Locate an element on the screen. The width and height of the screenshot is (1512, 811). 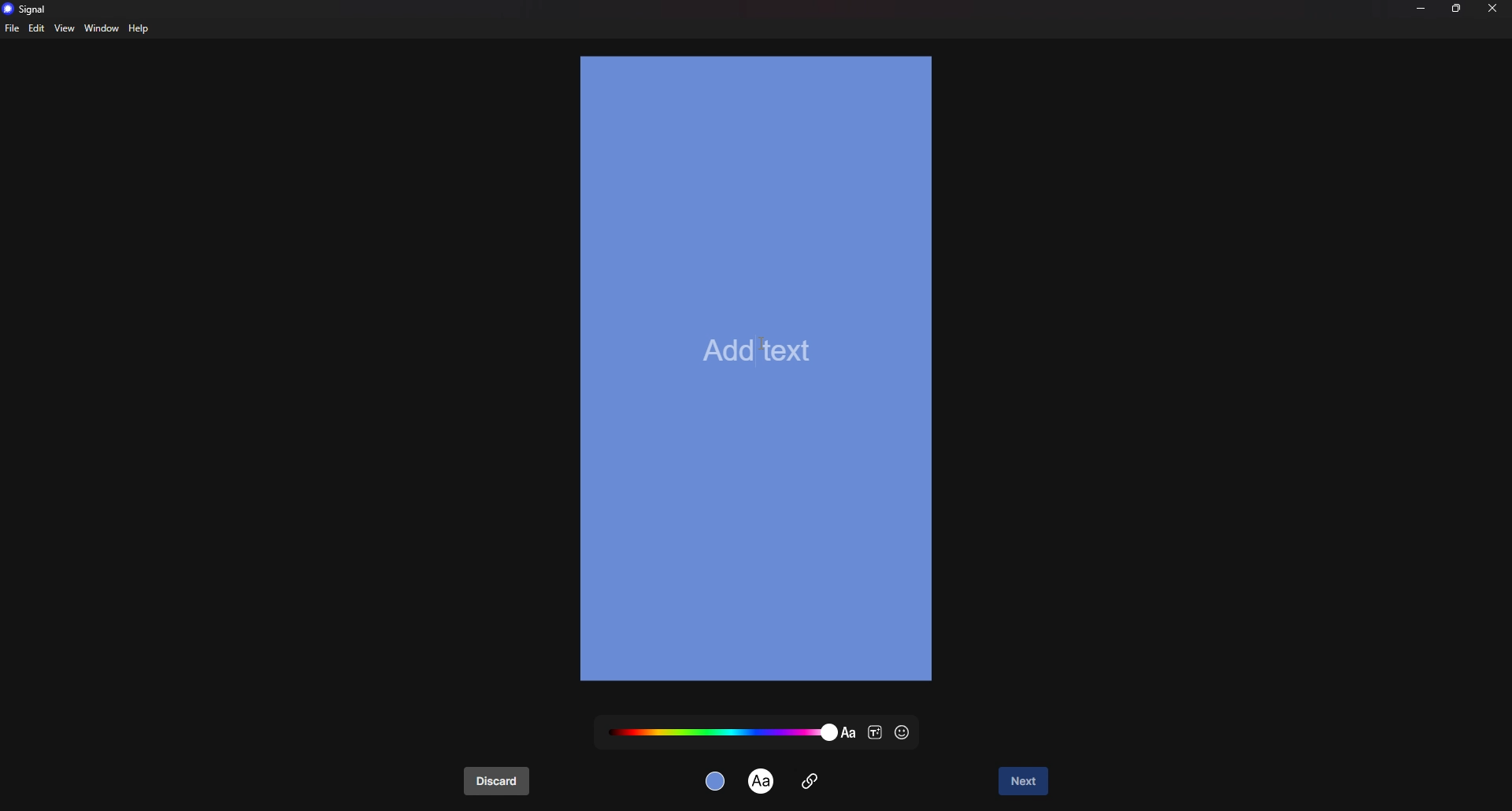
text is located at coordinates (762, 780).